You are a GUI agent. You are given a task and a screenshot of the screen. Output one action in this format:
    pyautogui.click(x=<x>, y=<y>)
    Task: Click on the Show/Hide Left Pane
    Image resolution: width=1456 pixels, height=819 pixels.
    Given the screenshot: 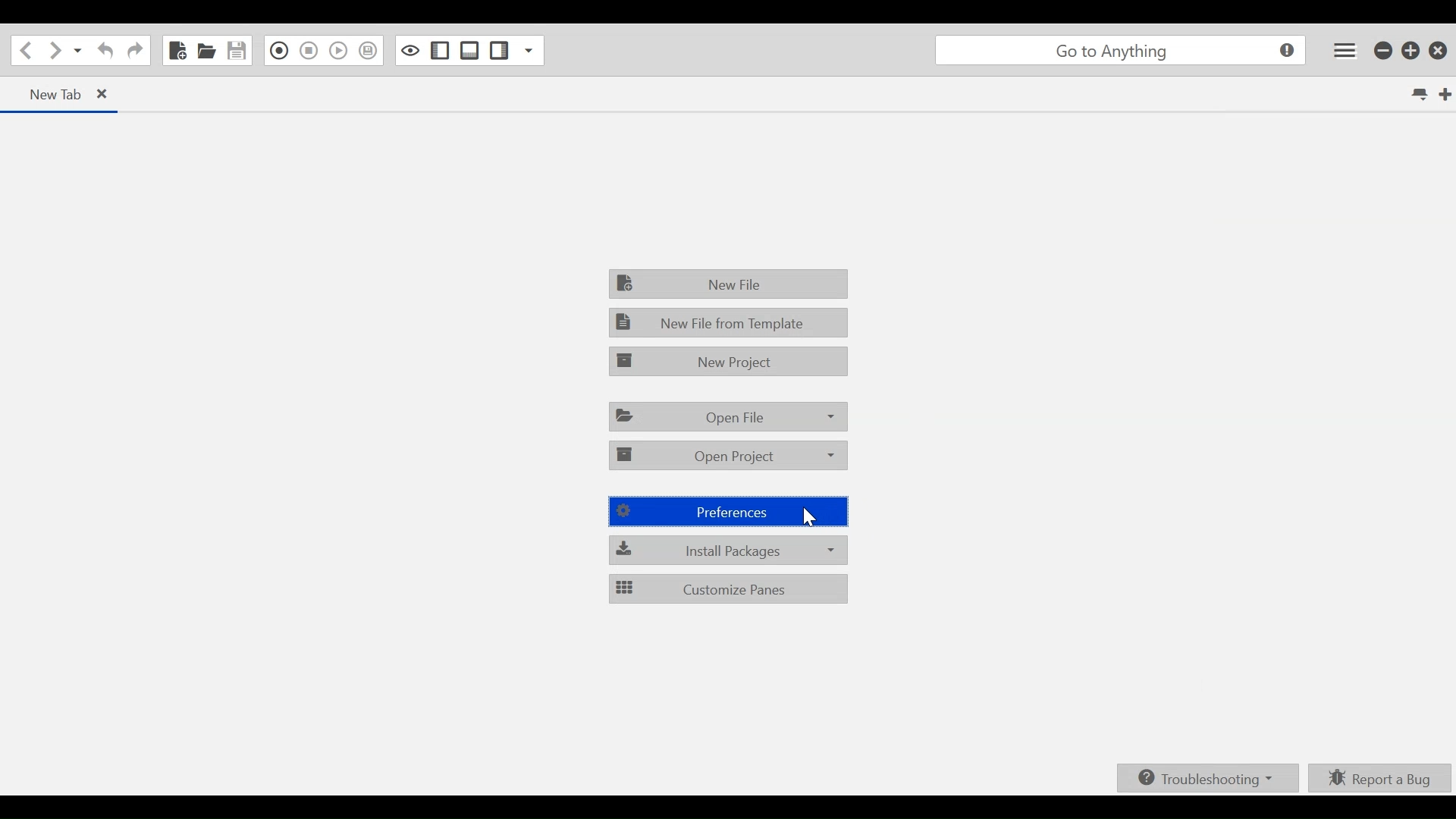 What is the action you would take?
    pyautogui.click(x=500, y=51)
    